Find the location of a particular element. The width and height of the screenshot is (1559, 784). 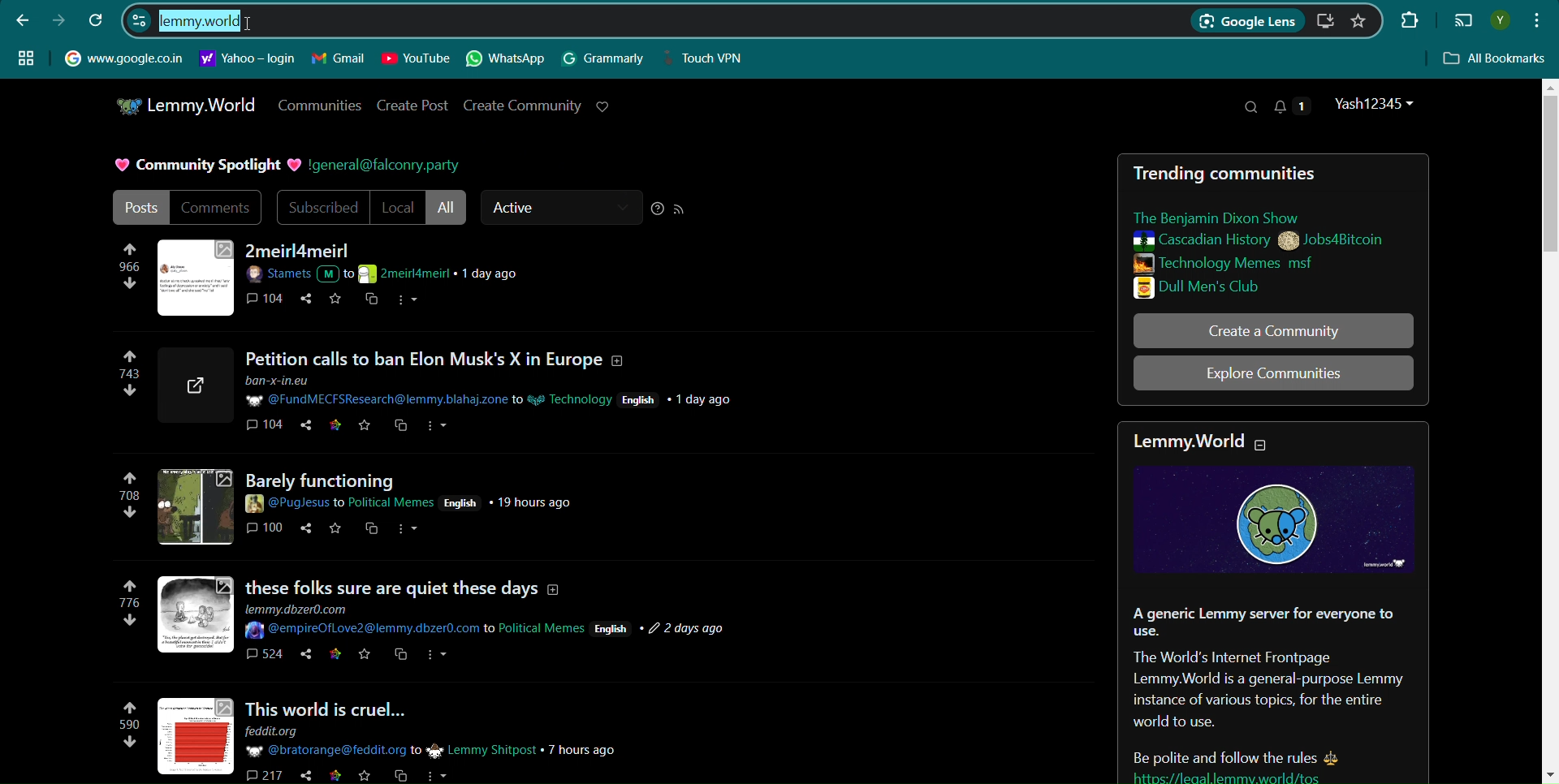

Hyperlink is located at coordinates (123, 57).